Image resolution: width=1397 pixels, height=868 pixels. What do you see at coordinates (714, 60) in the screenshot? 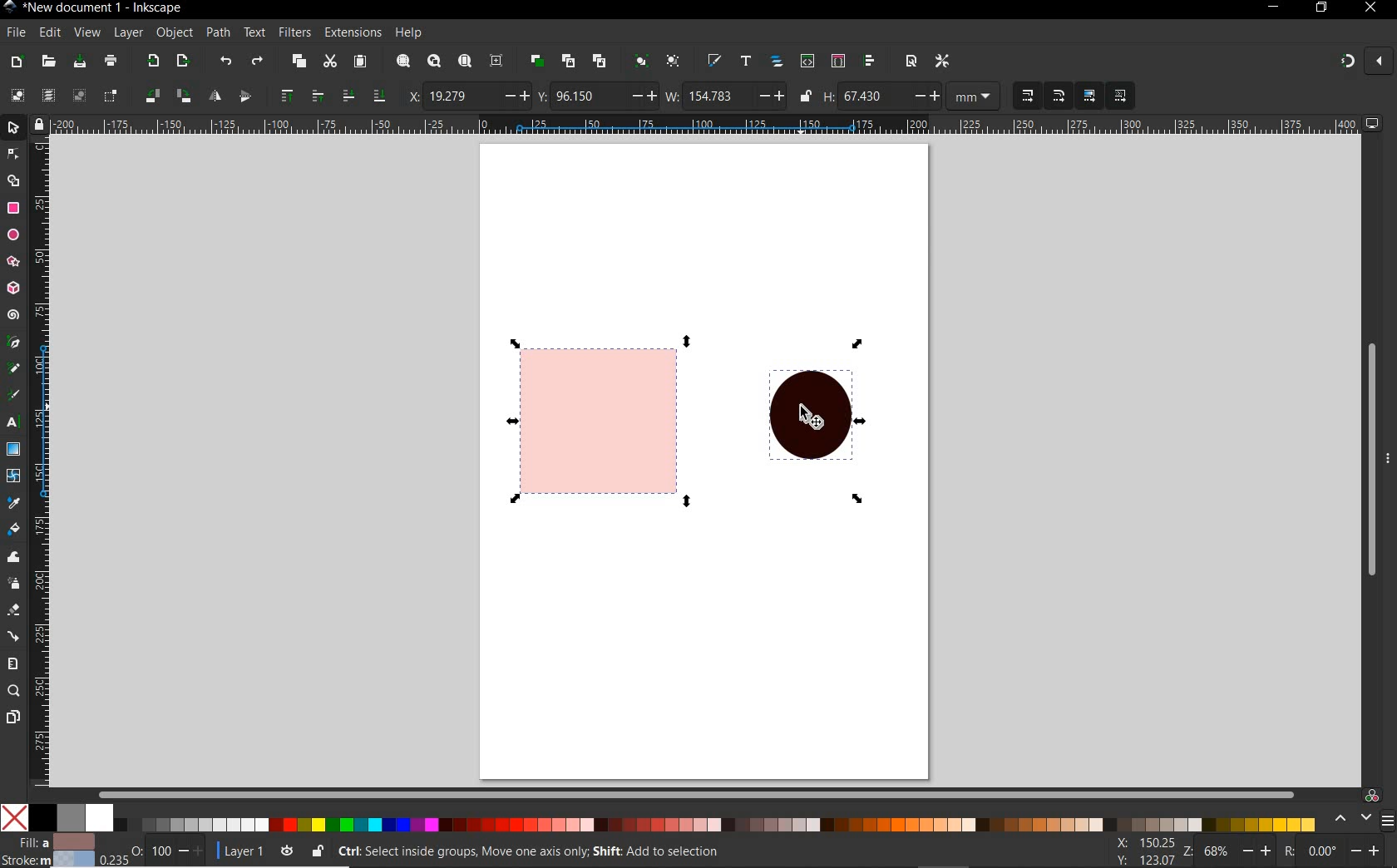
I see `open file & stroke` at bounding box center [714, 60].